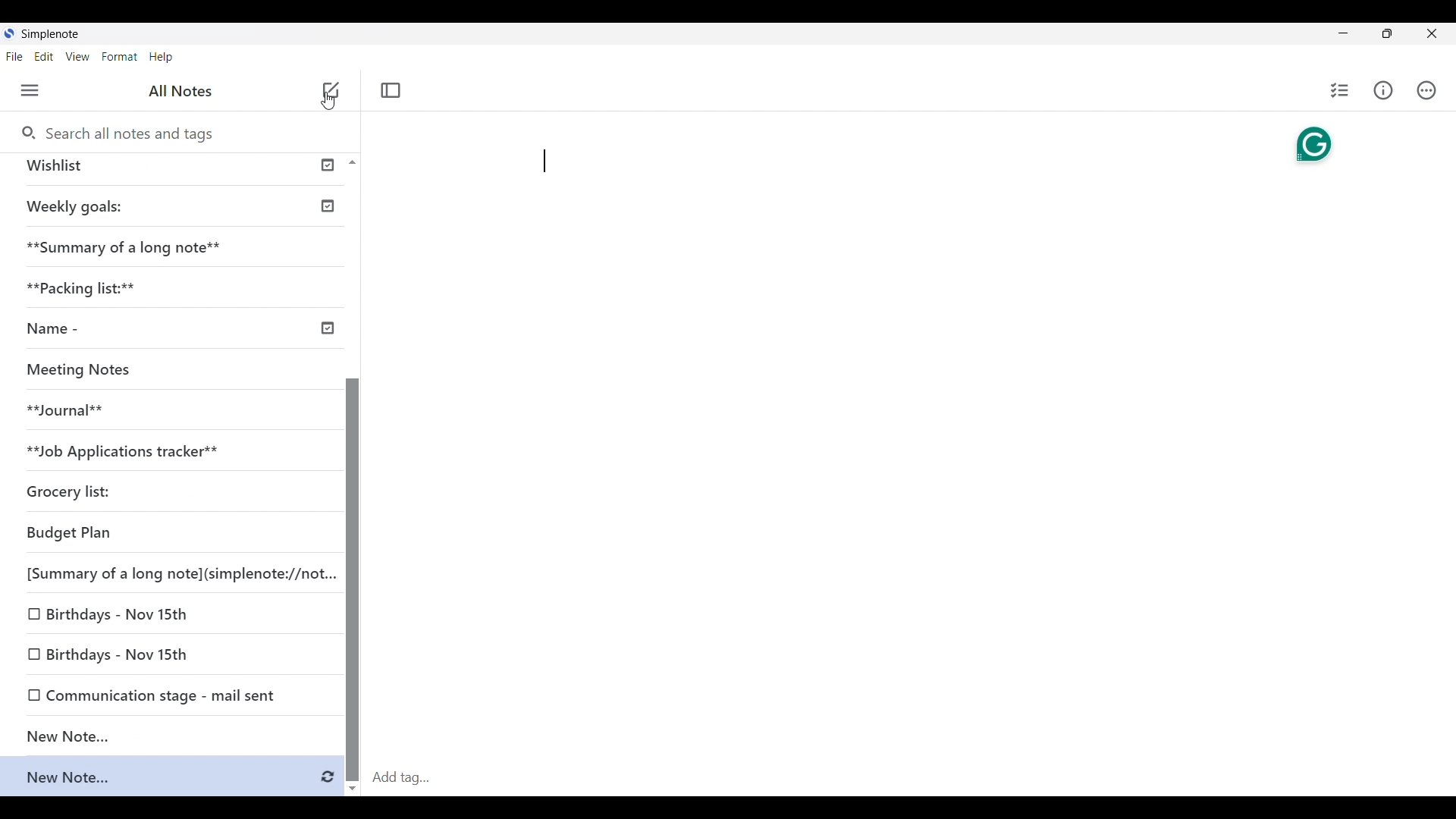  I want to click on Packing list, so click(87, 290).